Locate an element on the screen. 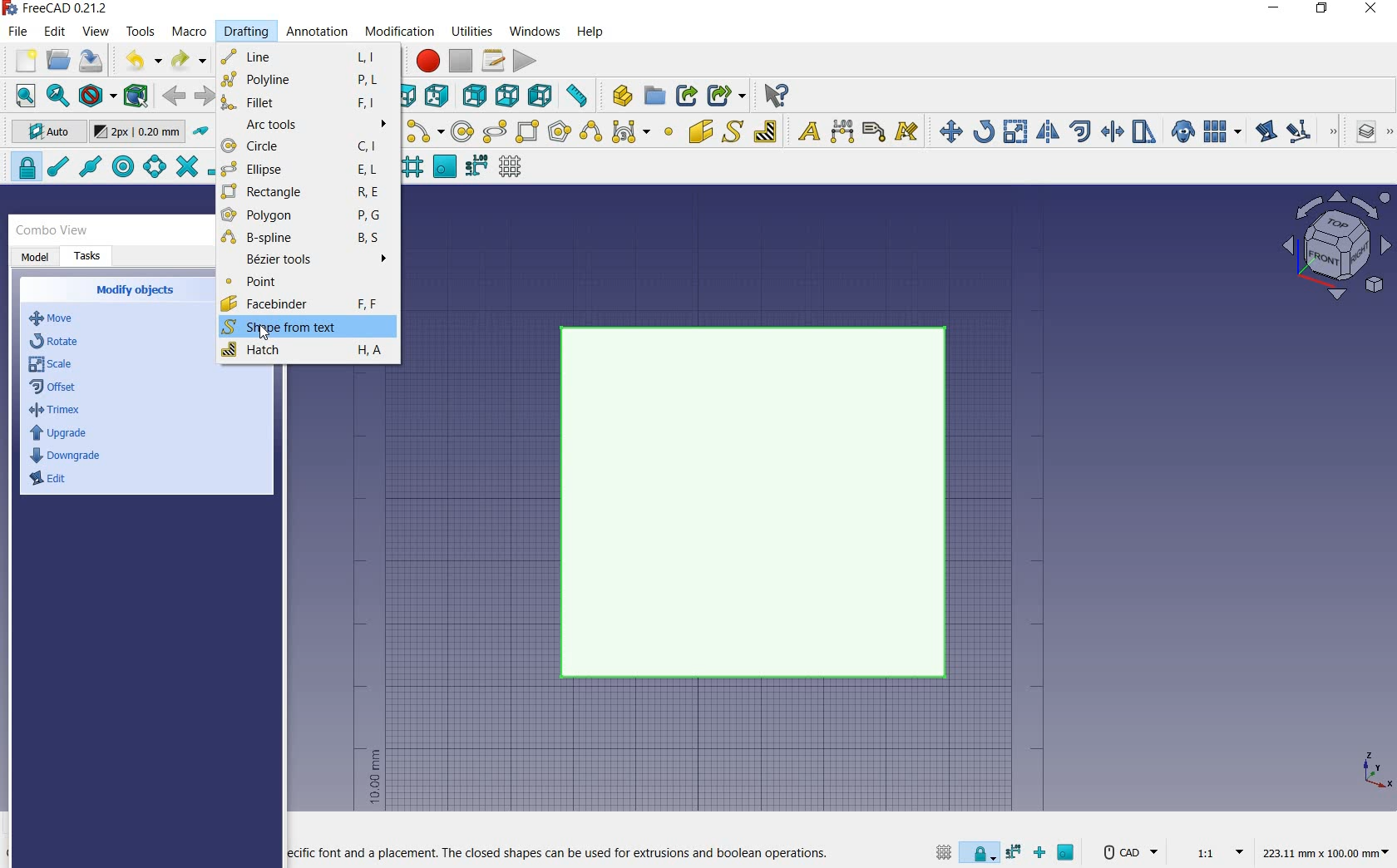  macro recording is located at coordinates (426, 61).